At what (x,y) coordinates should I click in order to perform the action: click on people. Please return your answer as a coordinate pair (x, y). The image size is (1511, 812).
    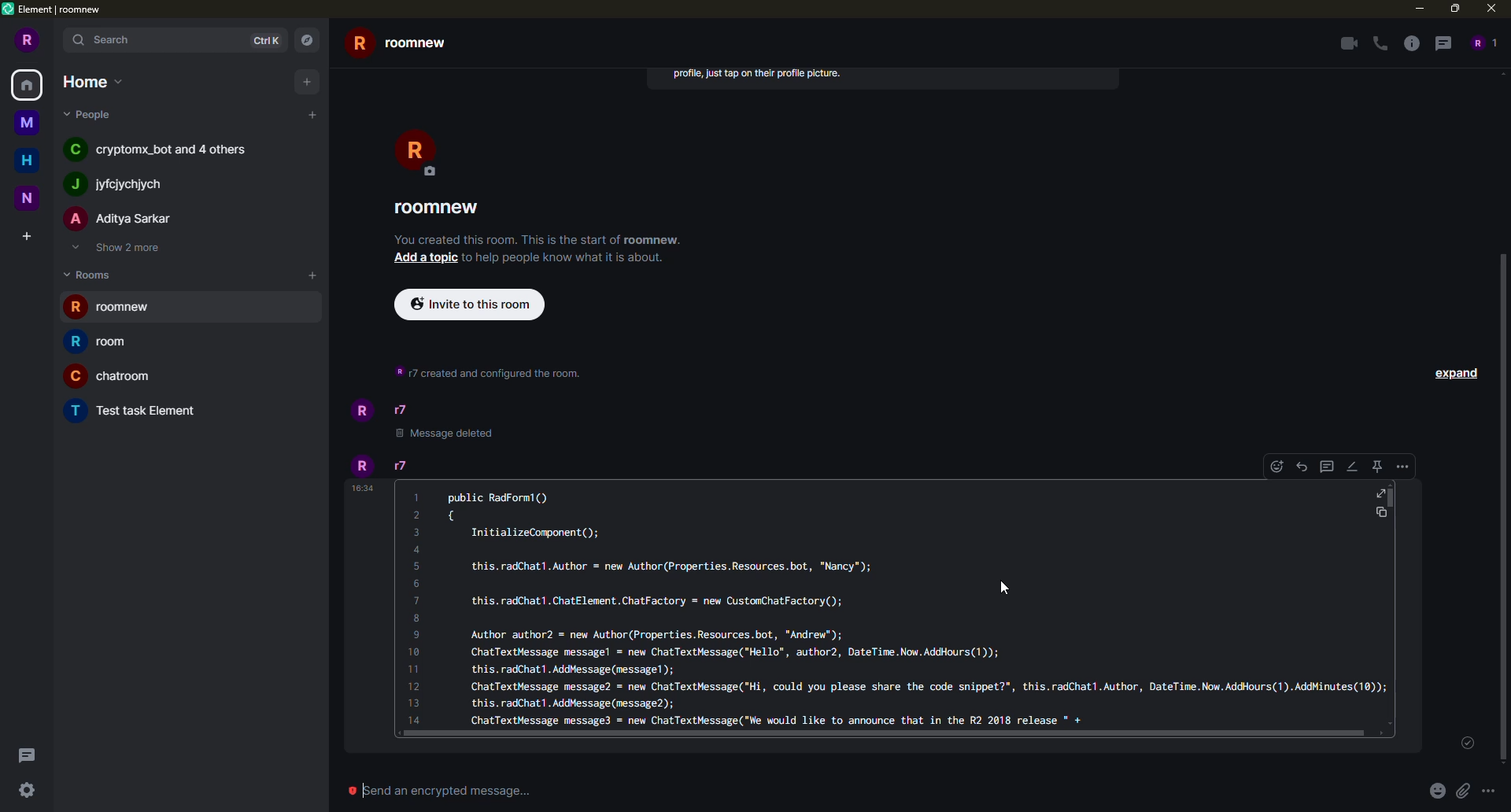
    Looking at the image, I should click on (163, 149).